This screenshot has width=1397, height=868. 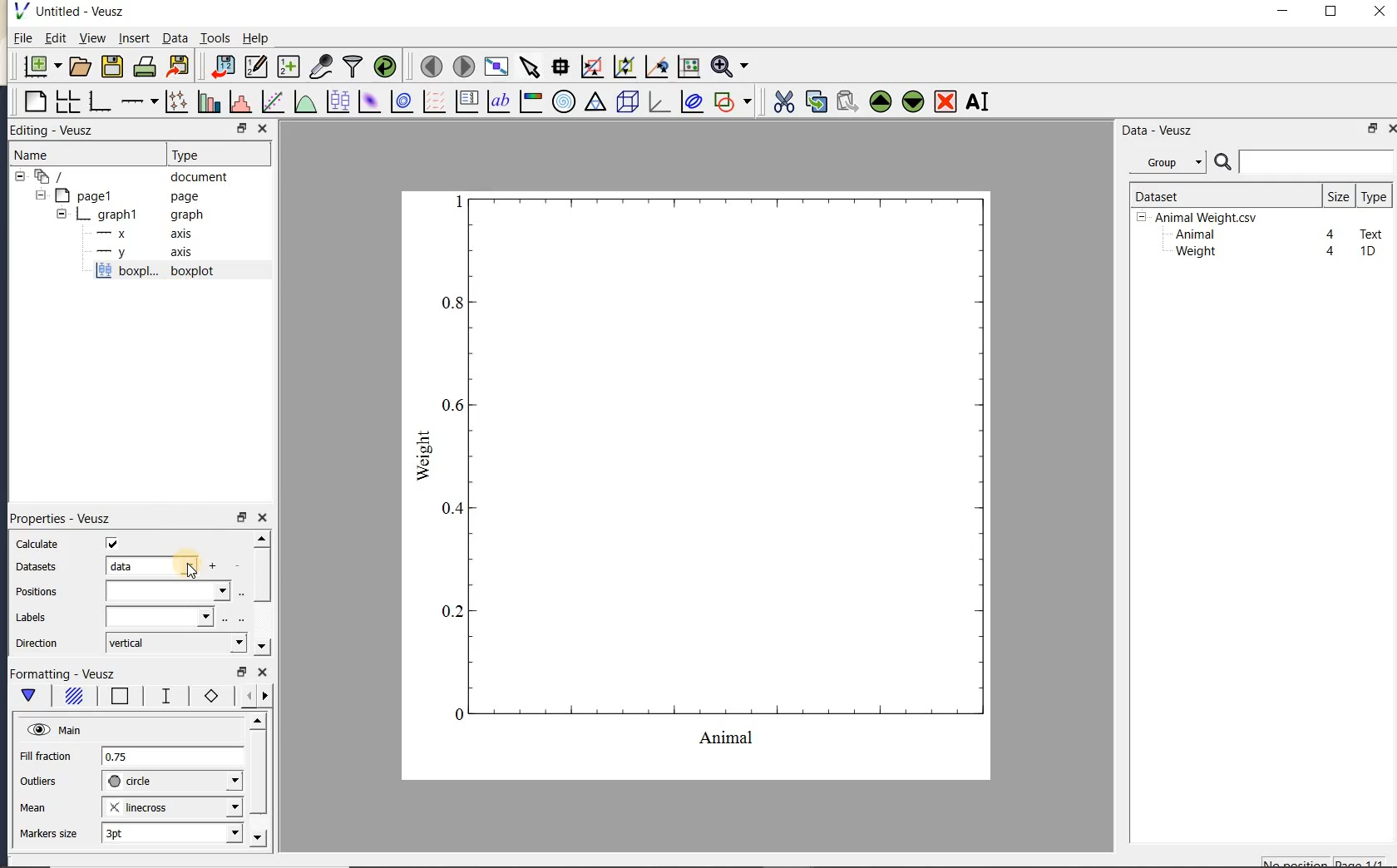 What do you see at coordinates (241, 517) in the screenshot?
I see `restore` at bounding box center [241, 517].